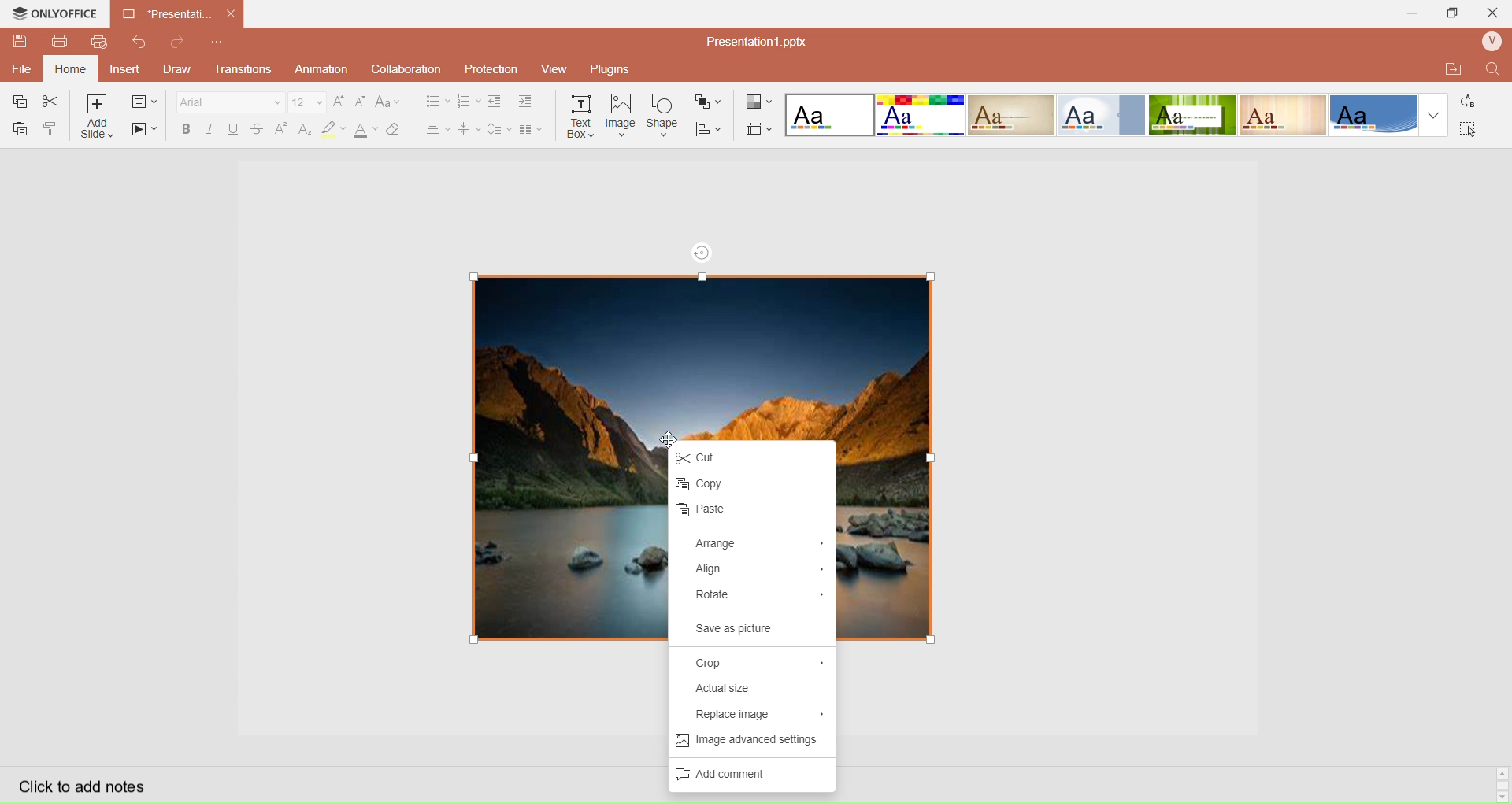 The width and height of the screenshot is (1512, 803). What do you see at coordinates (1495, 13) in the screenshot?
I see `Close` at bounding box center [1495, 13].